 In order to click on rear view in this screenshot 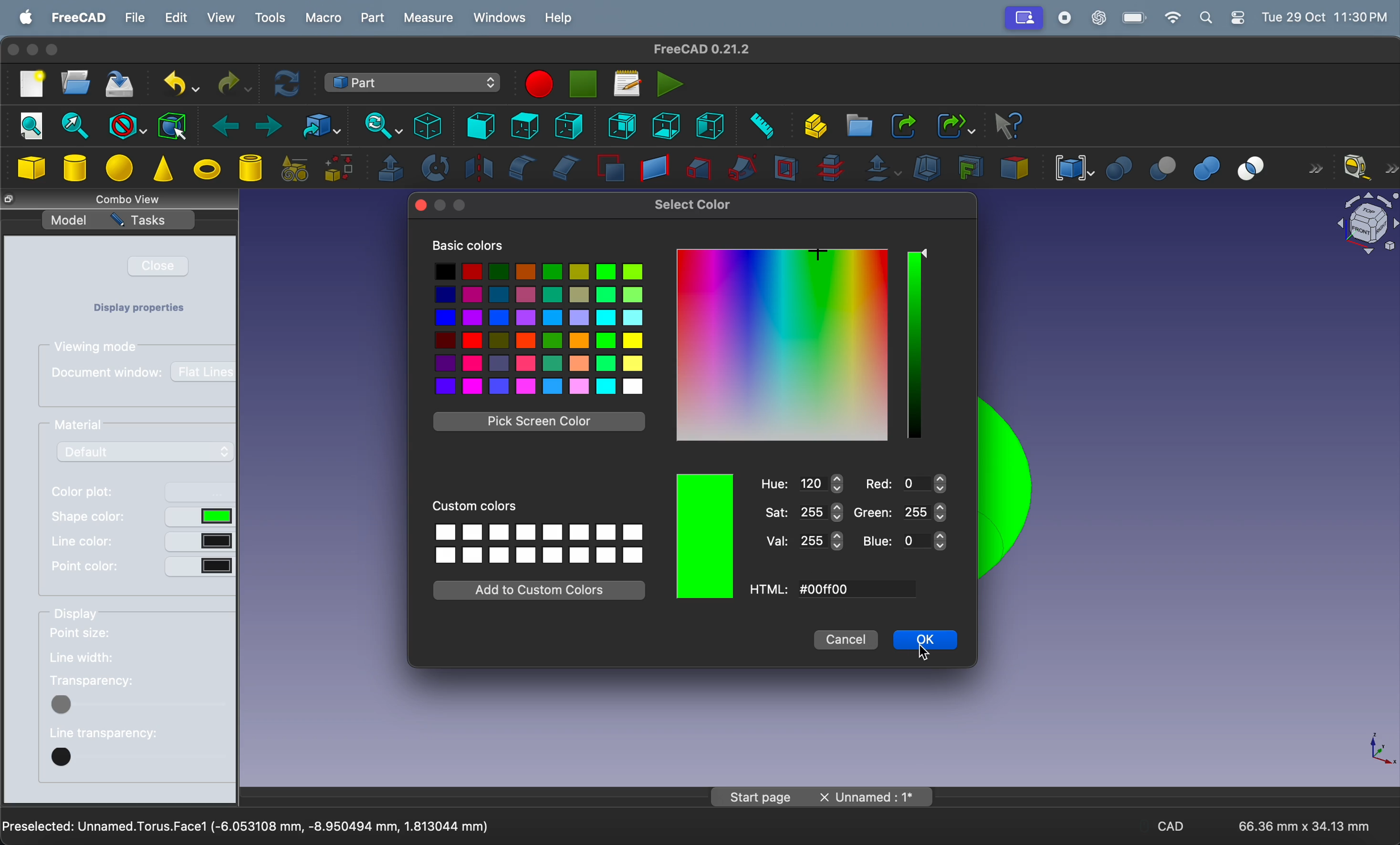, I will do `click(622, 126)`.